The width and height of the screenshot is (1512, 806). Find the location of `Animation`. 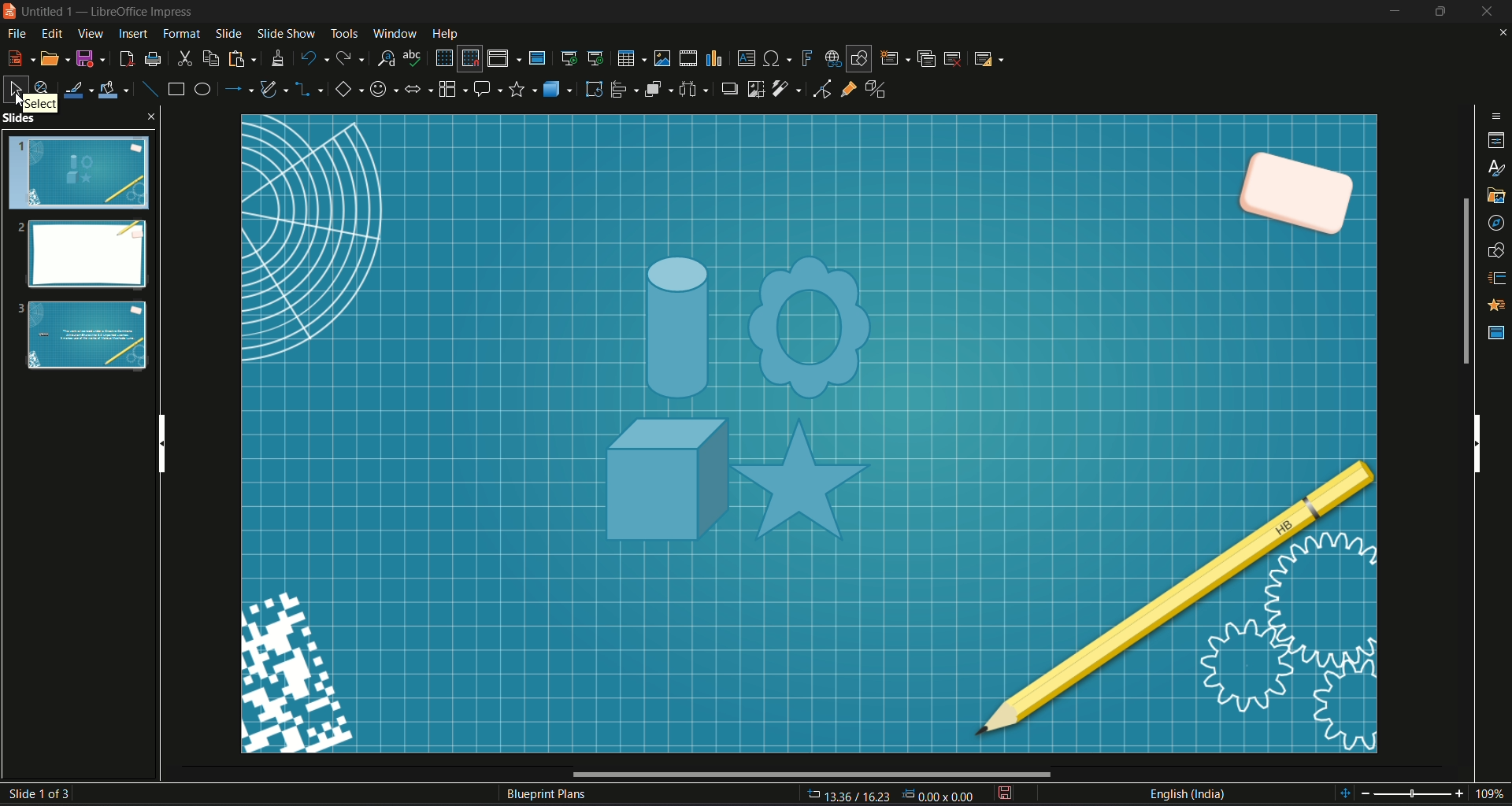

Animation is located at coordinates (1498, 305).